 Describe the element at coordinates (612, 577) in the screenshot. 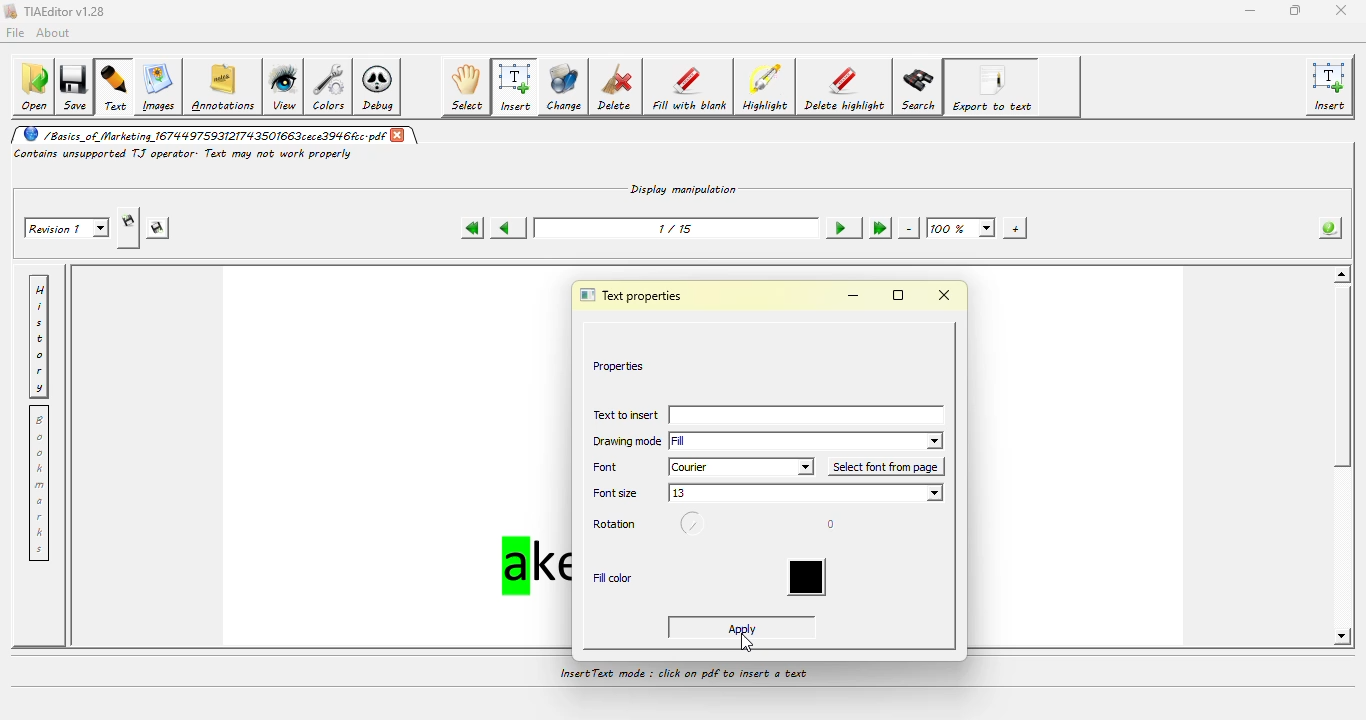

I see `Fill color` at that location.